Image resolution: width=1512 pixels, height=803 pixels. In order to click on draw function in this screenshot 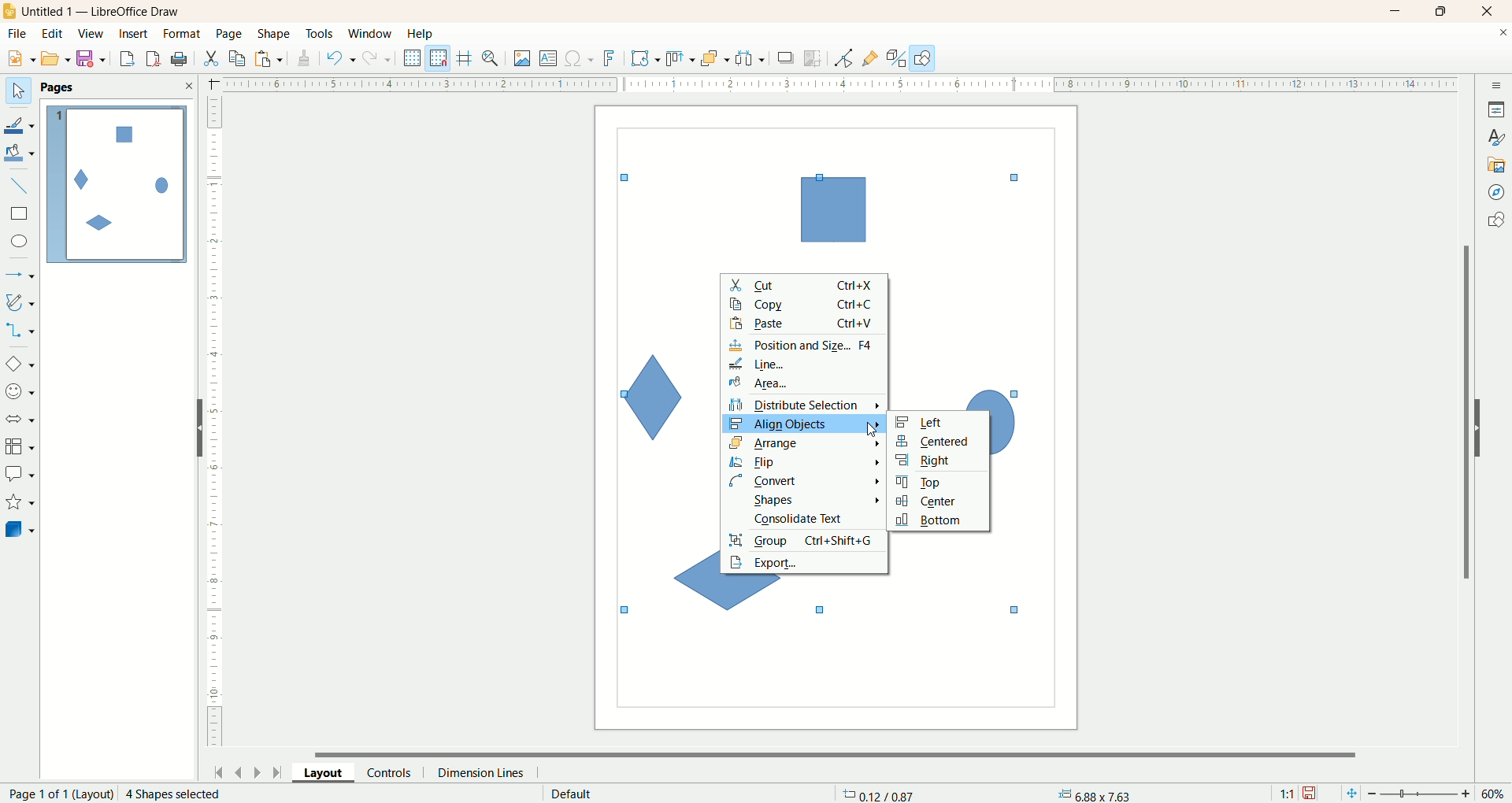, I will do `click(923, 57)`.